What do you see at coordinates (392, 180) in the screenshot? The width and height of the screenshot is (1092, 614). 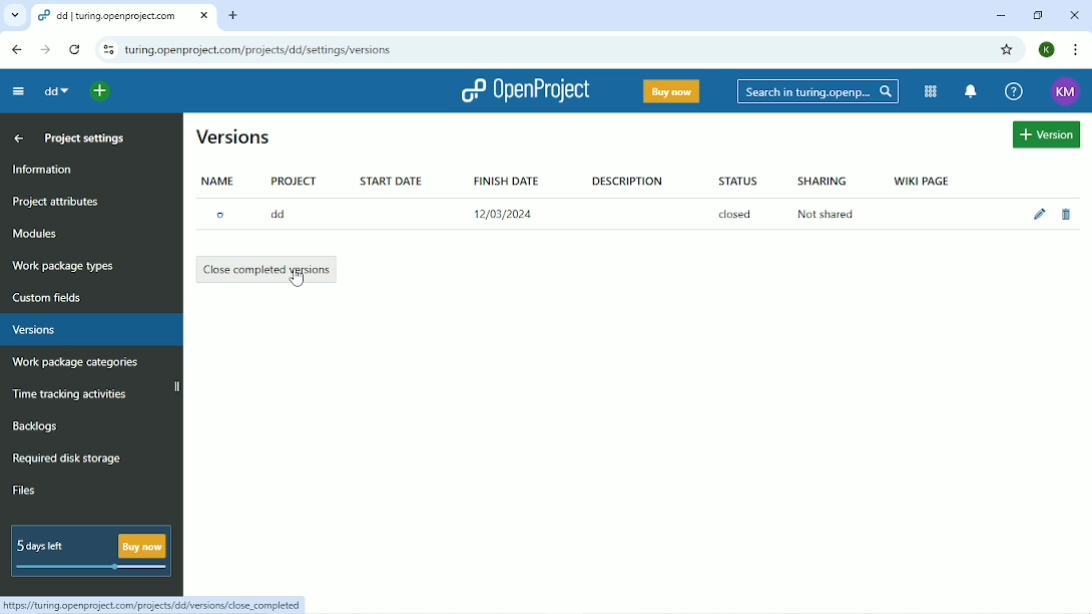 I see `Start date` at bounding box center [392, 180].